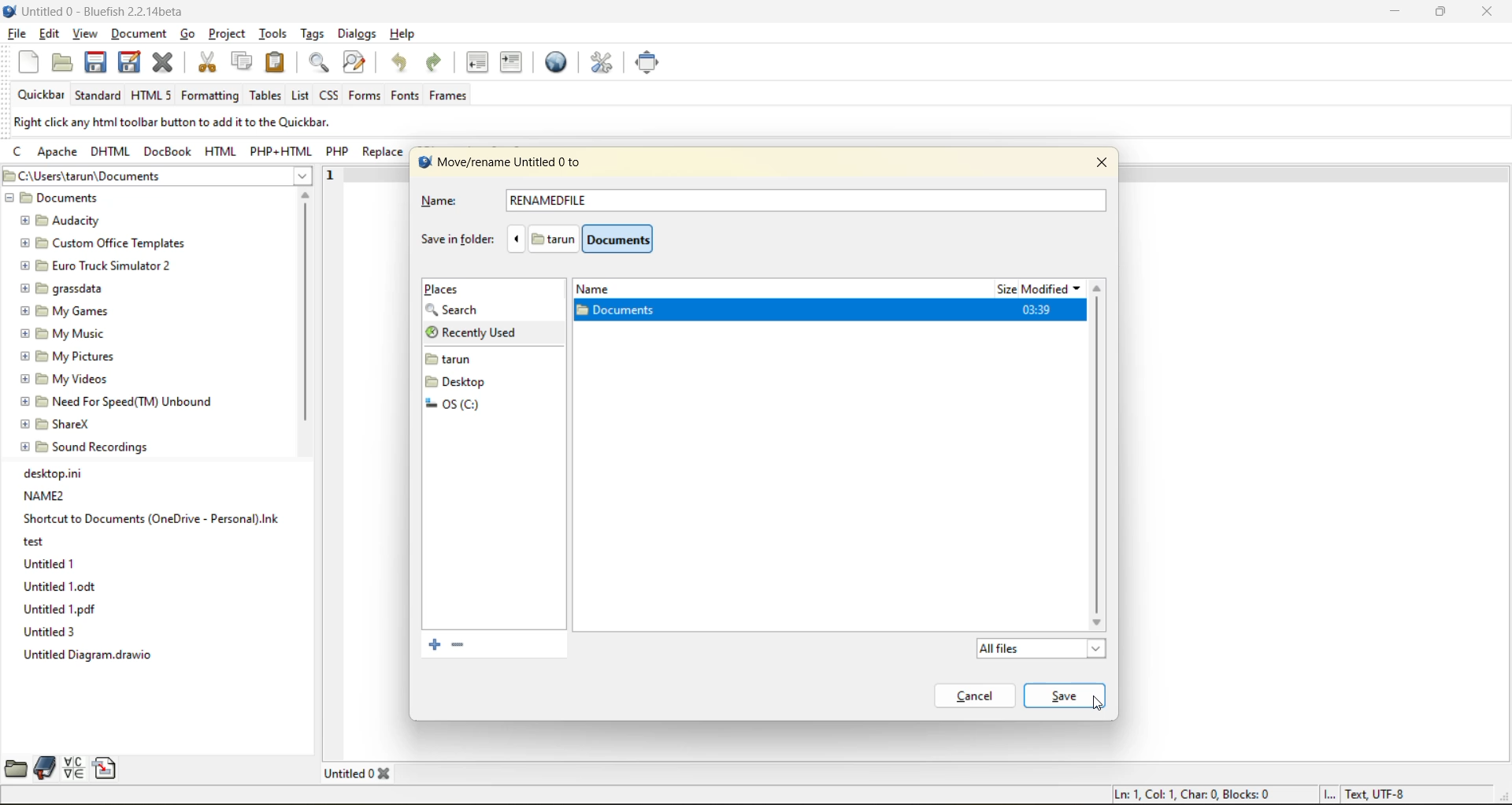 The image size is (1512, 805). Describe the element at coordinates (275, 34) in the screenshot. I see `tools` at that location.